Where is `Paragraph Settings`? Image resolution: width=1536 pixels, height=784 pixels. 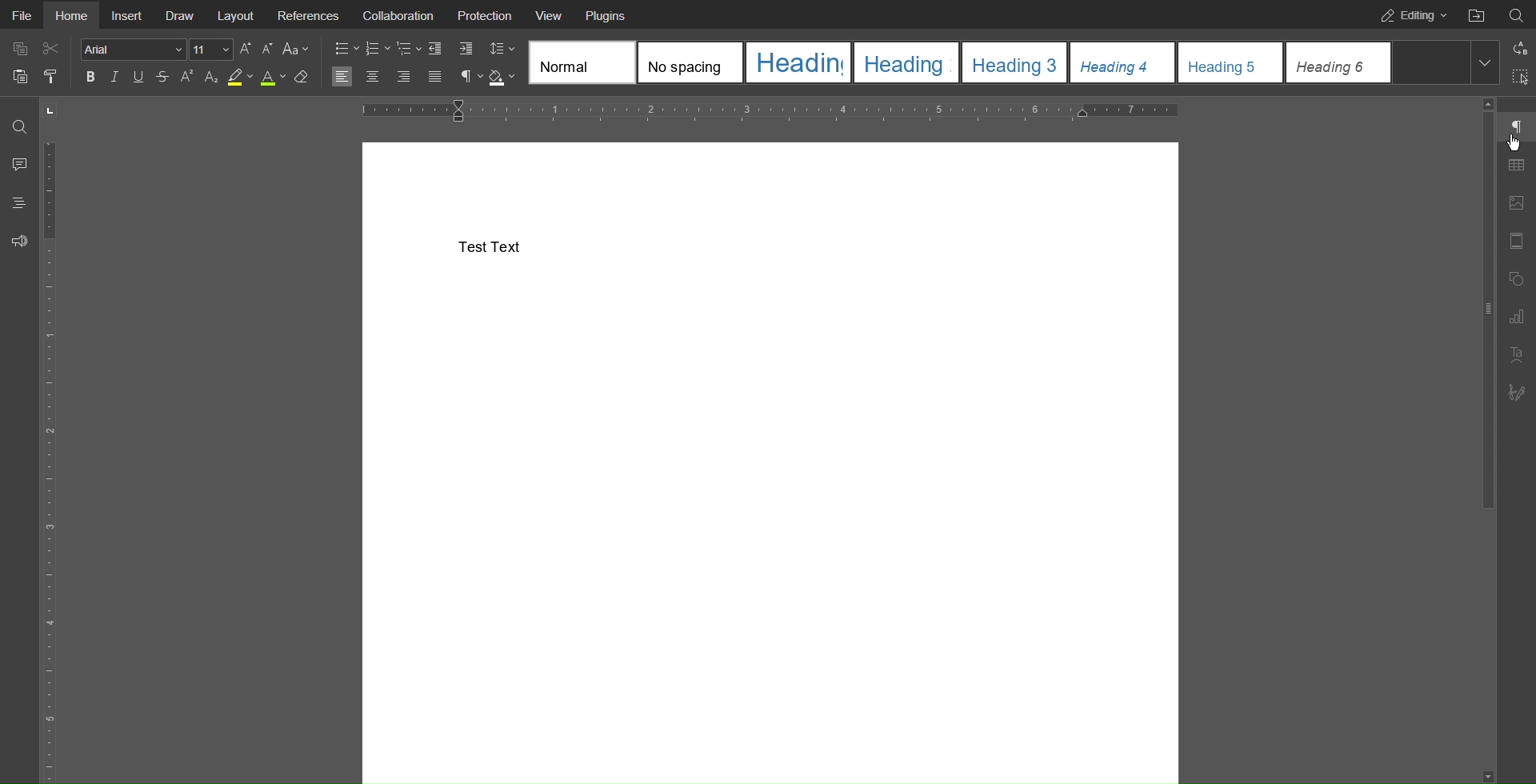 Paragraph Settings is located at coordinates (1516, 126).